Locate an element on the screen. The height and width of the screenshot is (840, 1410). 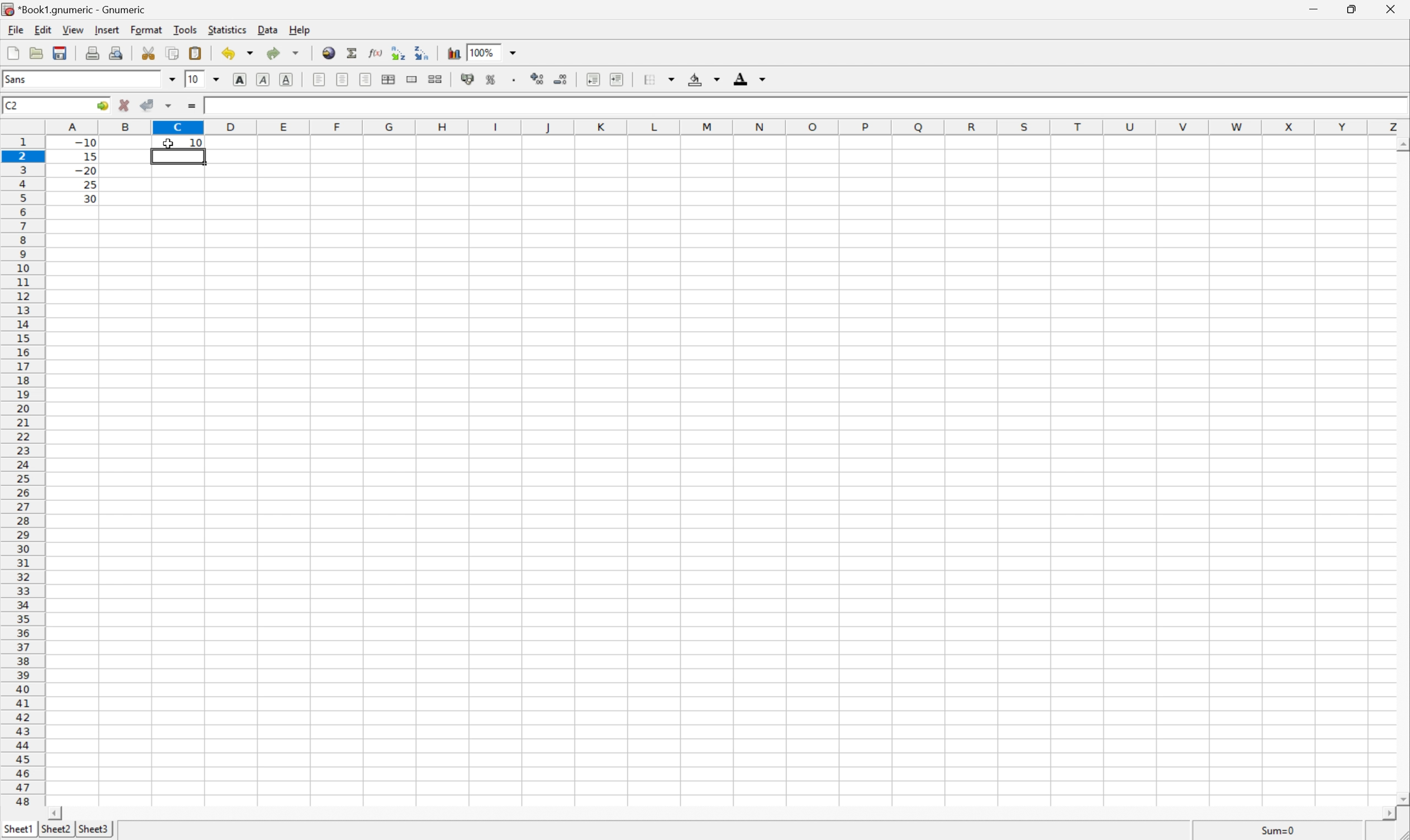
Accept change in multiple cells is located at coordinates (171, 106).